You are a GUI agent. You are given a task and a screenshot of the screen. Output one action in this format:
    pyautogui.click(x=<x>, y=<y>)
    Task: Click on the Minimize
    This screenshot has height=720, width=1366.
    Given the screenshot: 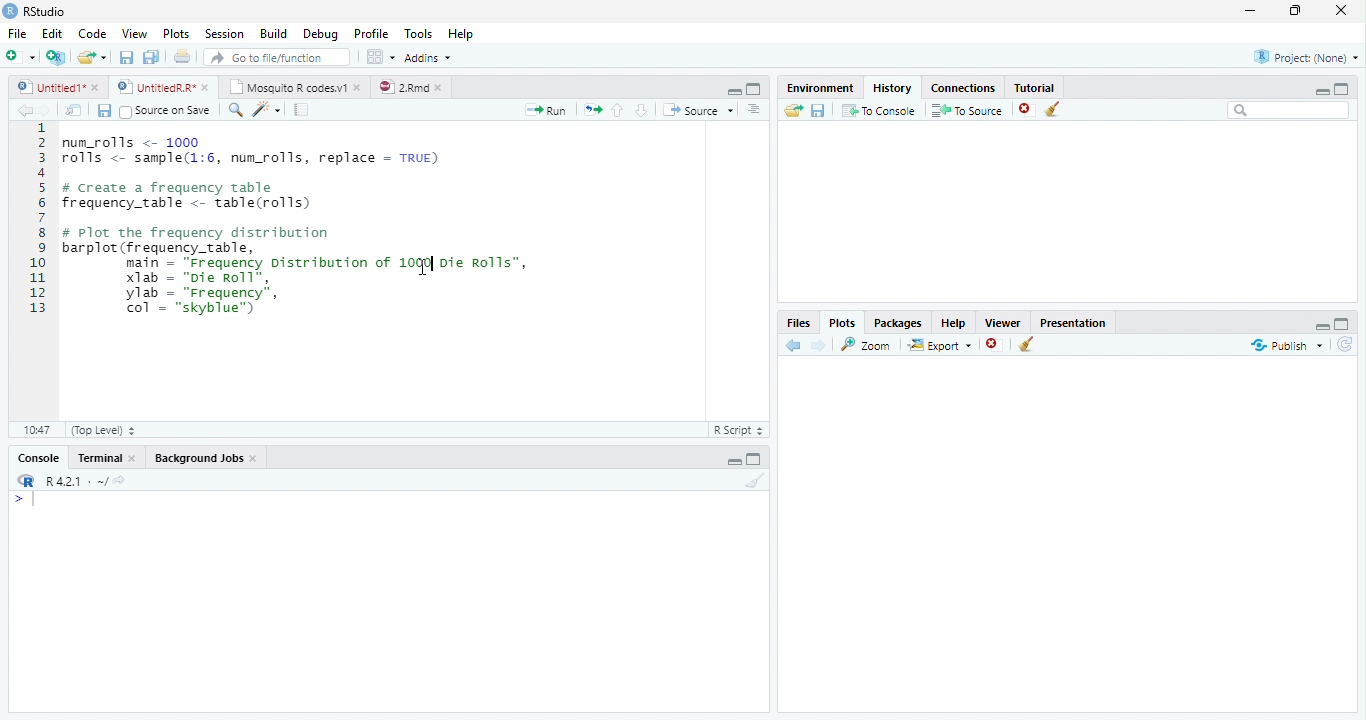 What is the action you would take?
    pyautogui.click(x=1251, y=11)
    